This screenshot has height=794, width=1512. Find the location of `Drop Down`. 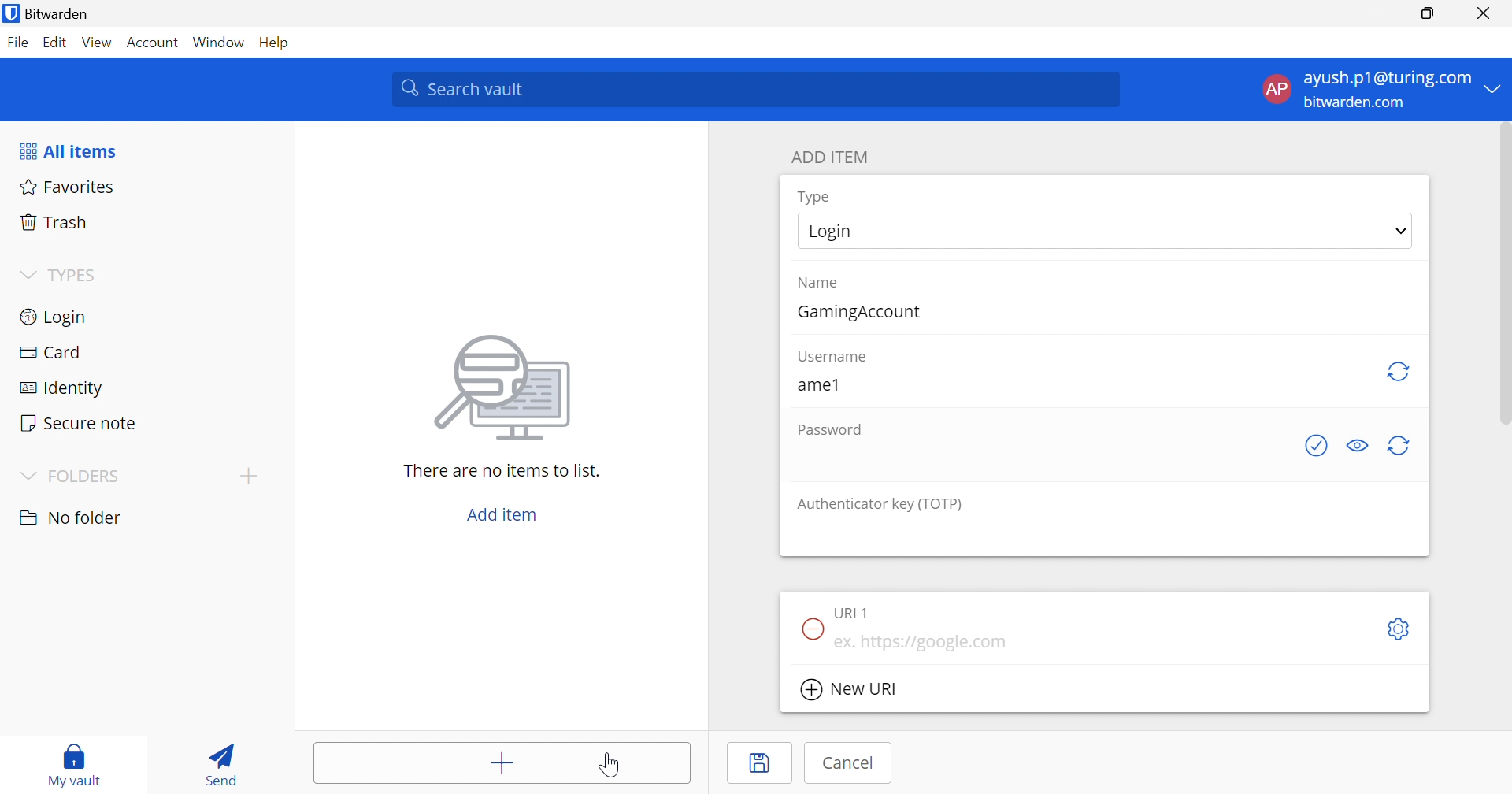

Drop Down is located at coordinates (24, 475).